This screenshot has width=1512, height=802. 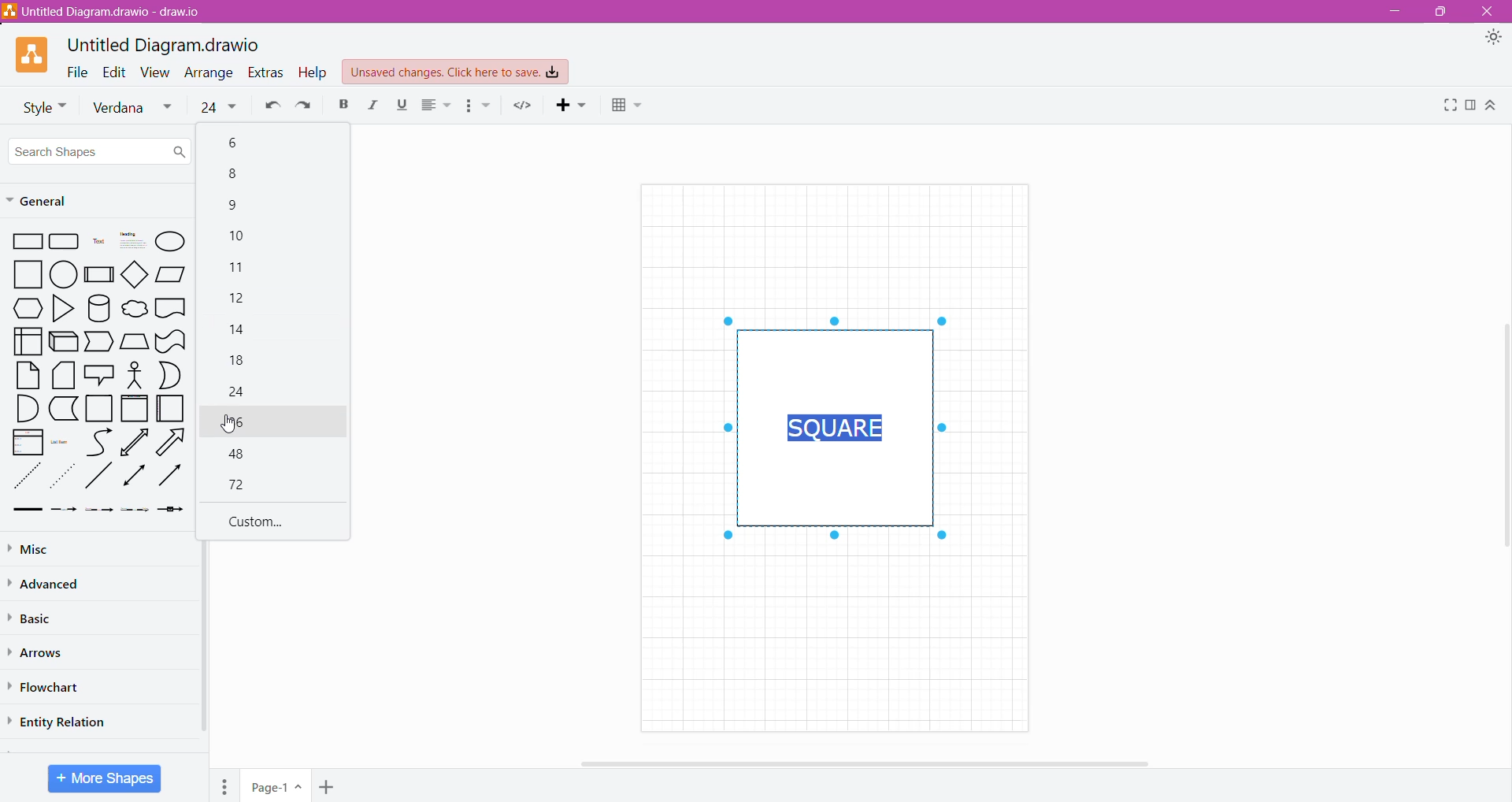 I want to click on 10, so click(x=239, y=236).